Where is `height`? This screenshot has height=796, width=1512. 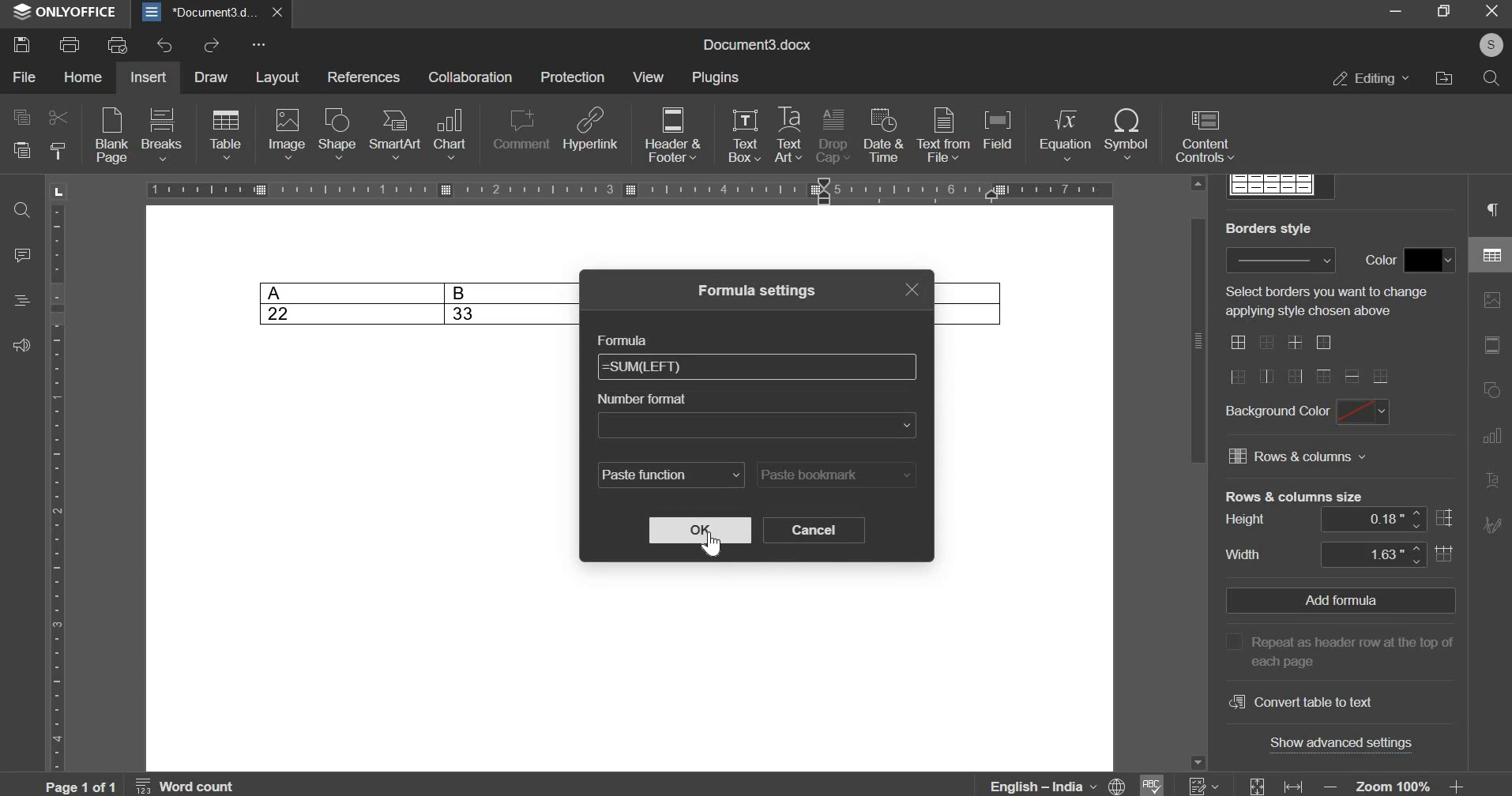 height is located at coordinates (1246, 520).